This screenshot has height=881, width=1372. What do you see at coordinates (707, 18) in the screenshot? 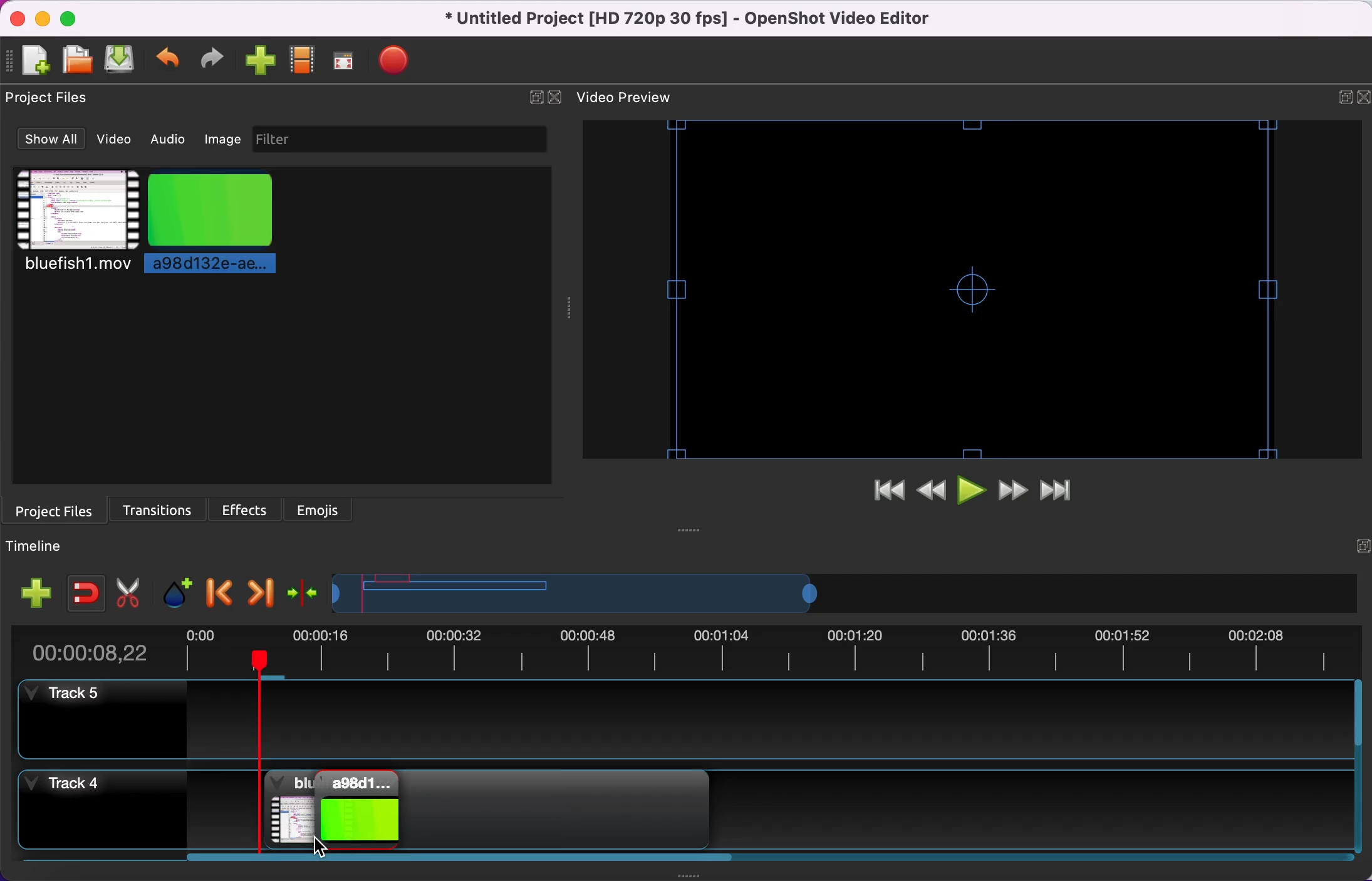
I see `title - Untitled Project [HD 720p 30 fps]-OpenShot Video Editor` at bounding box center [707, 18].